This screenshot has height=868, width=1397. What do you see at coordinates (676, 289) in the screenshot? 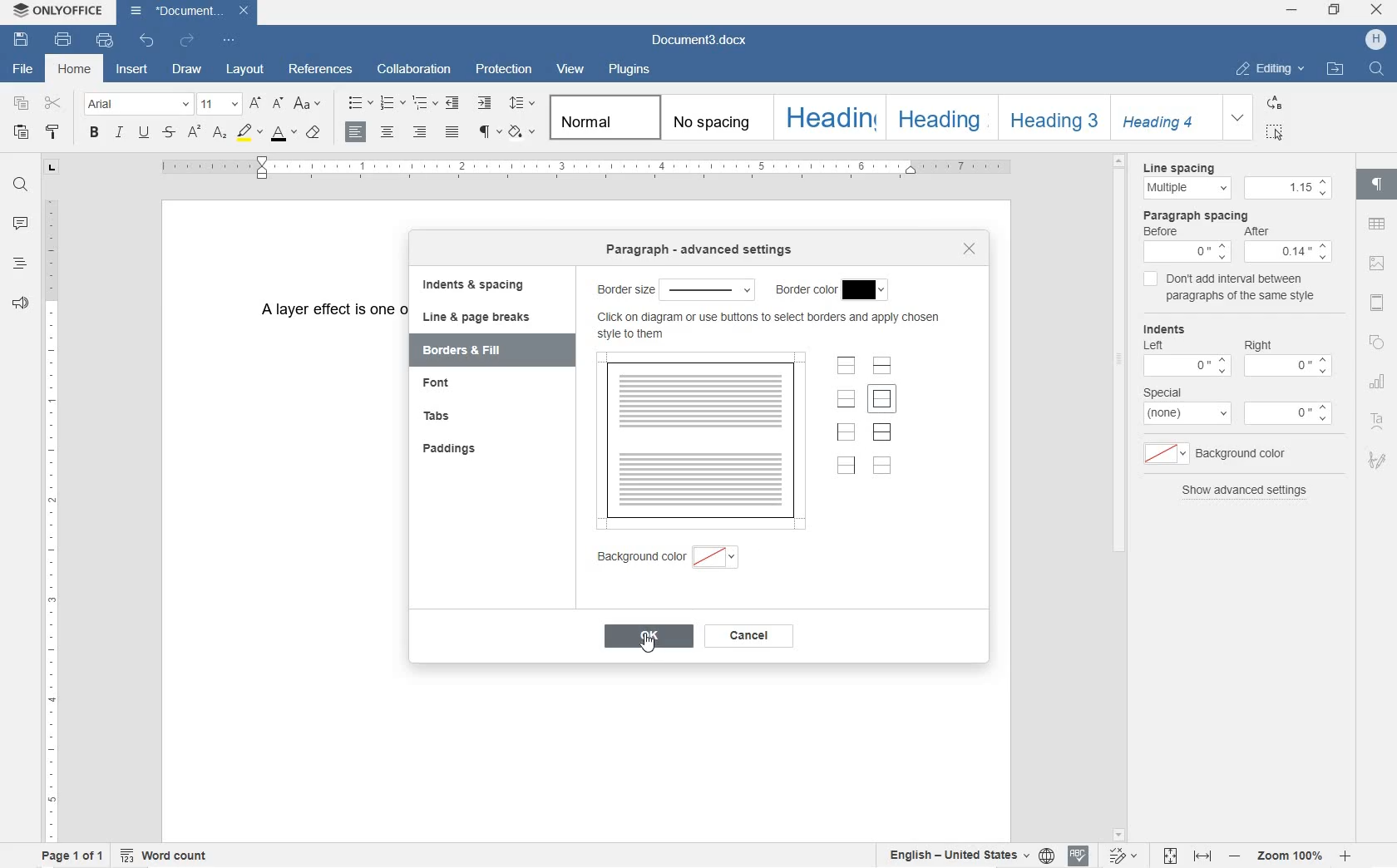
I see `border size` at bounding box center [676, 289].